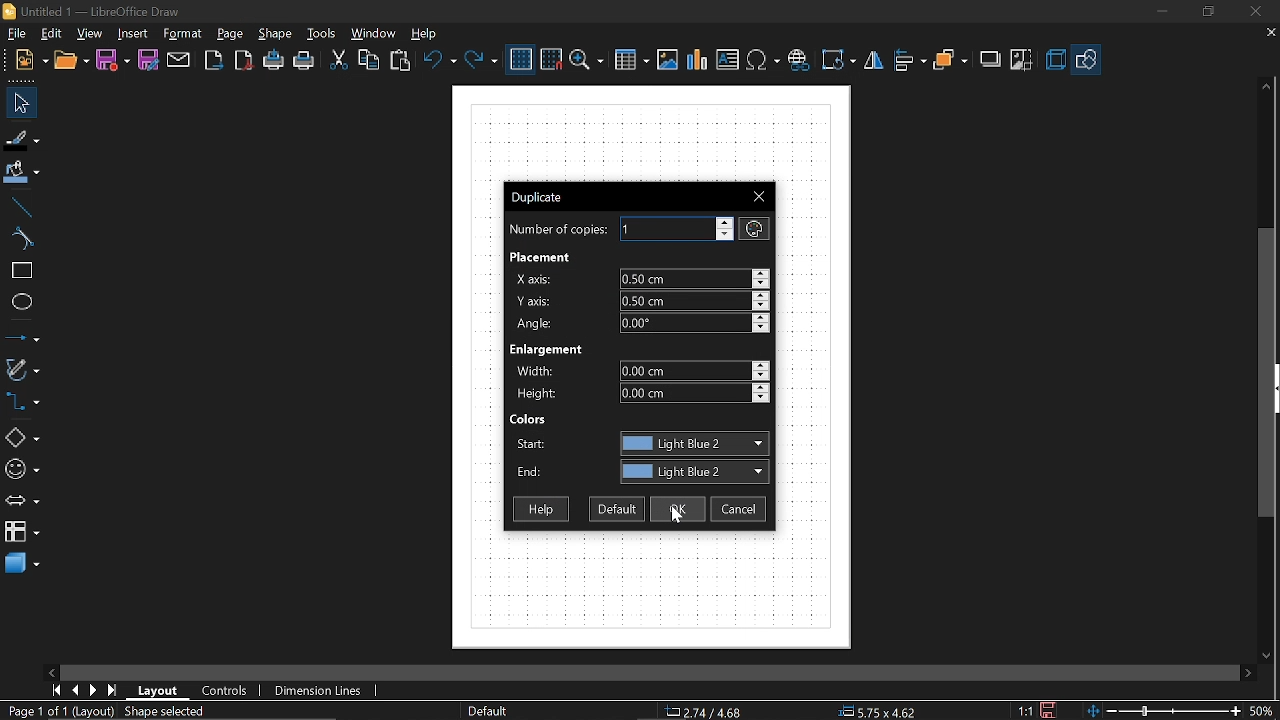 The image size is (1280, 720). I want to click on Entertainment, so click(551, 349).